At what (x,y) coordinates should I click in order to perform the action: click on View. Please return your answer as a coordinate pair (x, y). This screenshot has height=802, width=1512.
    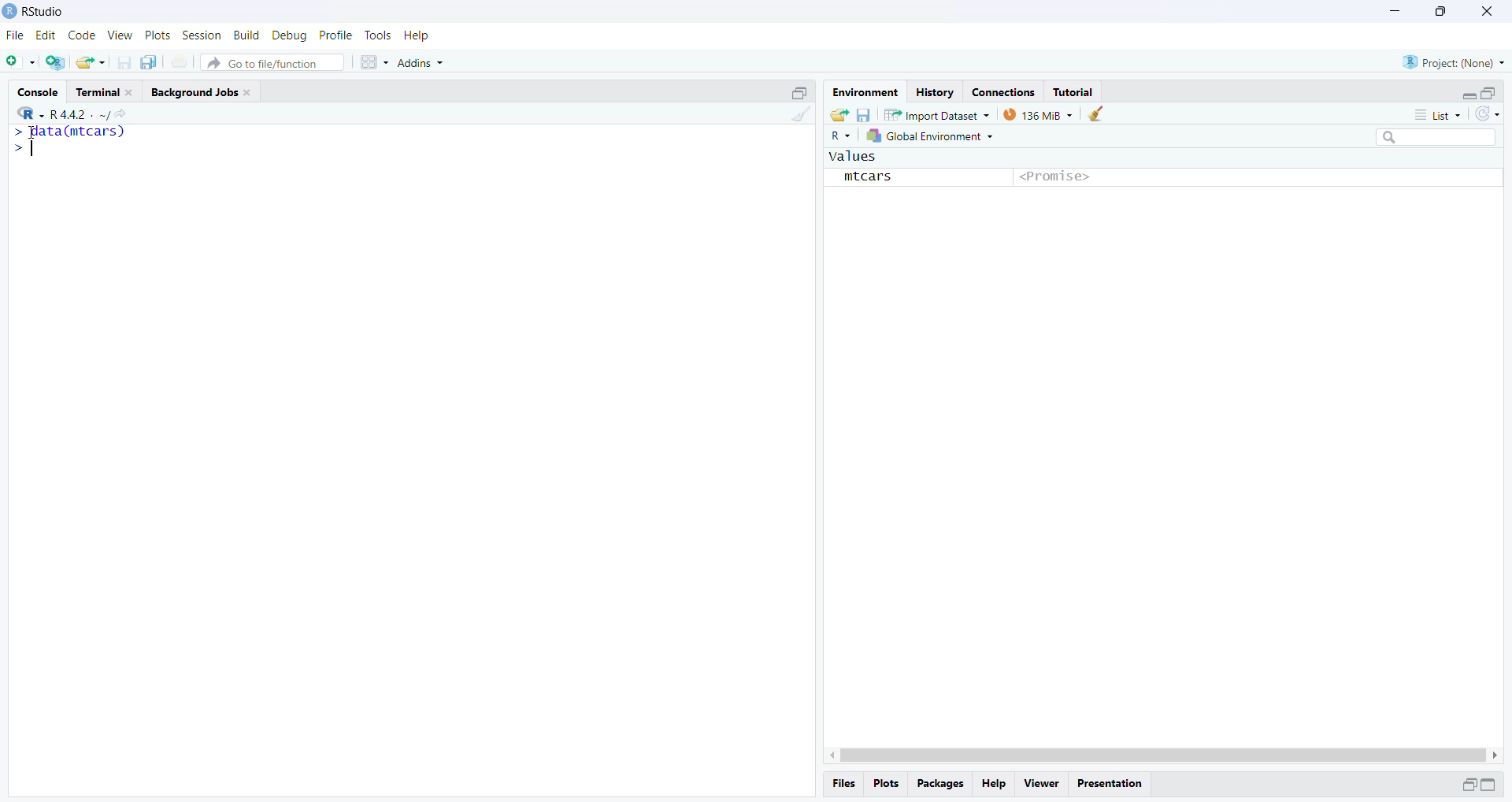
    Looking at the image, I should click on (119, 35).